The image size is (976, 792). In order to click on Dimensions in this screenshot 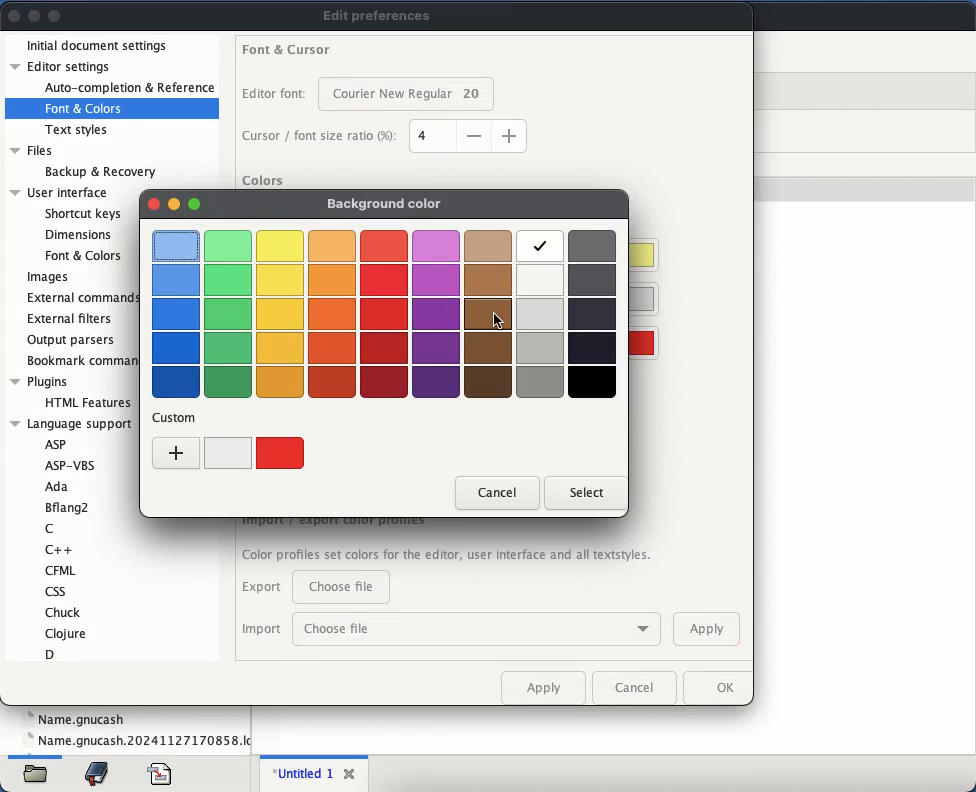, I will do `click(77, 233)`.